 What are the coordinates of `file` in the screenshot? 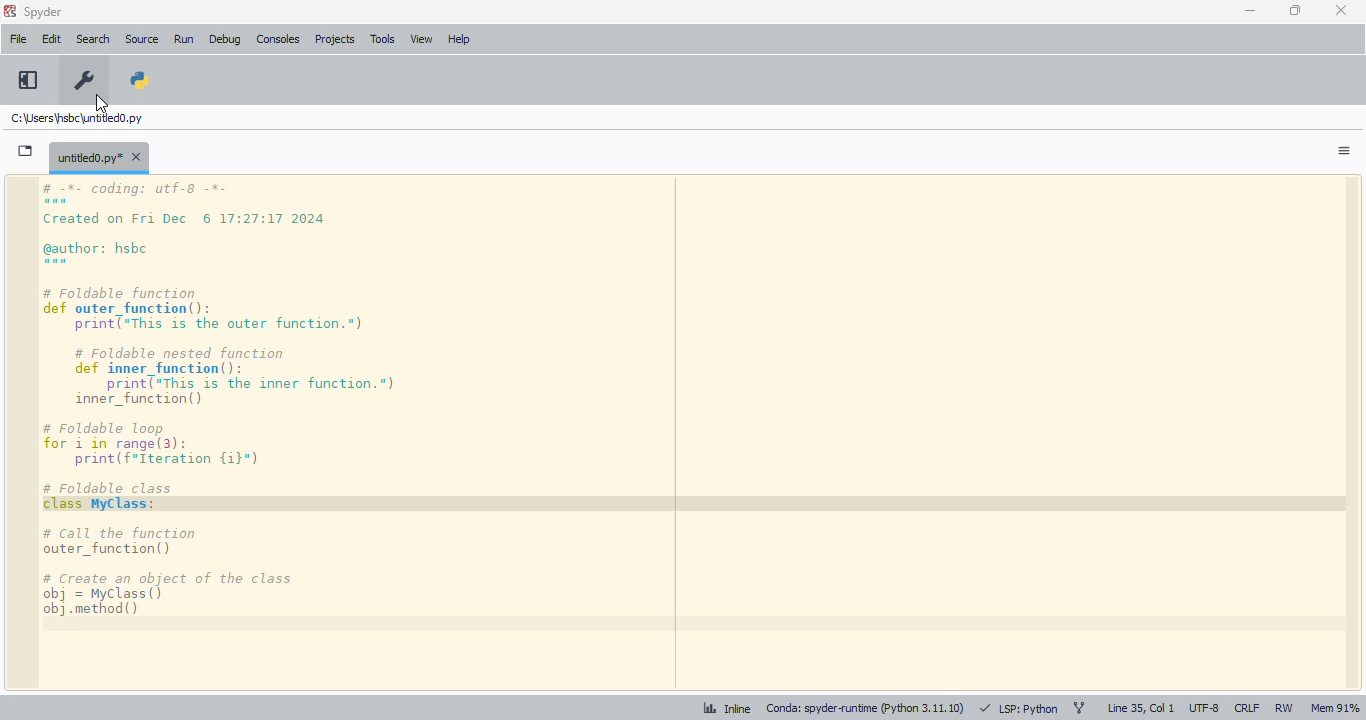 It's located at (18, 39).